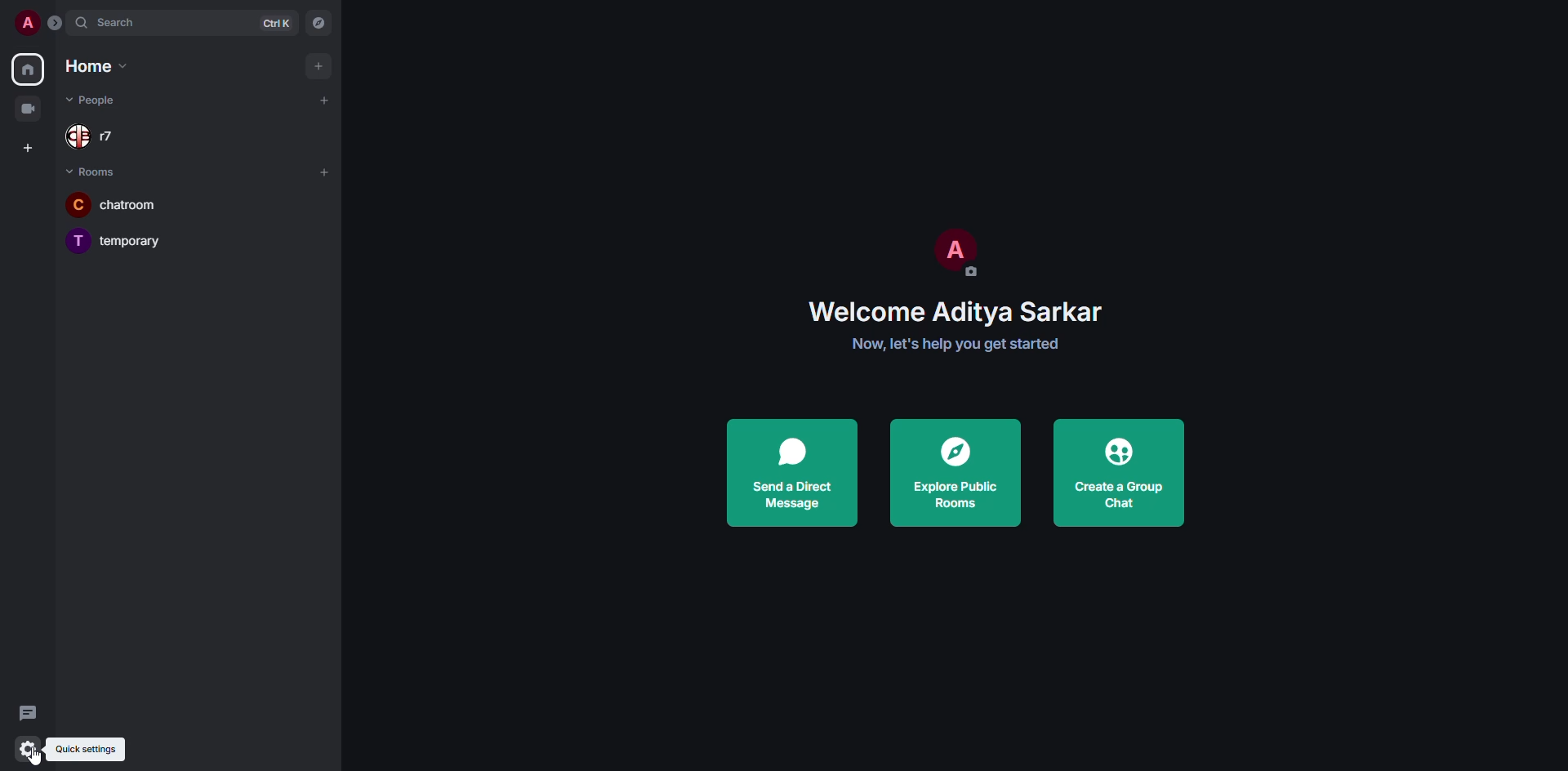  Describe the element at coordinates (791, 469) in the screenshot. I see `send a direct message` at that location.